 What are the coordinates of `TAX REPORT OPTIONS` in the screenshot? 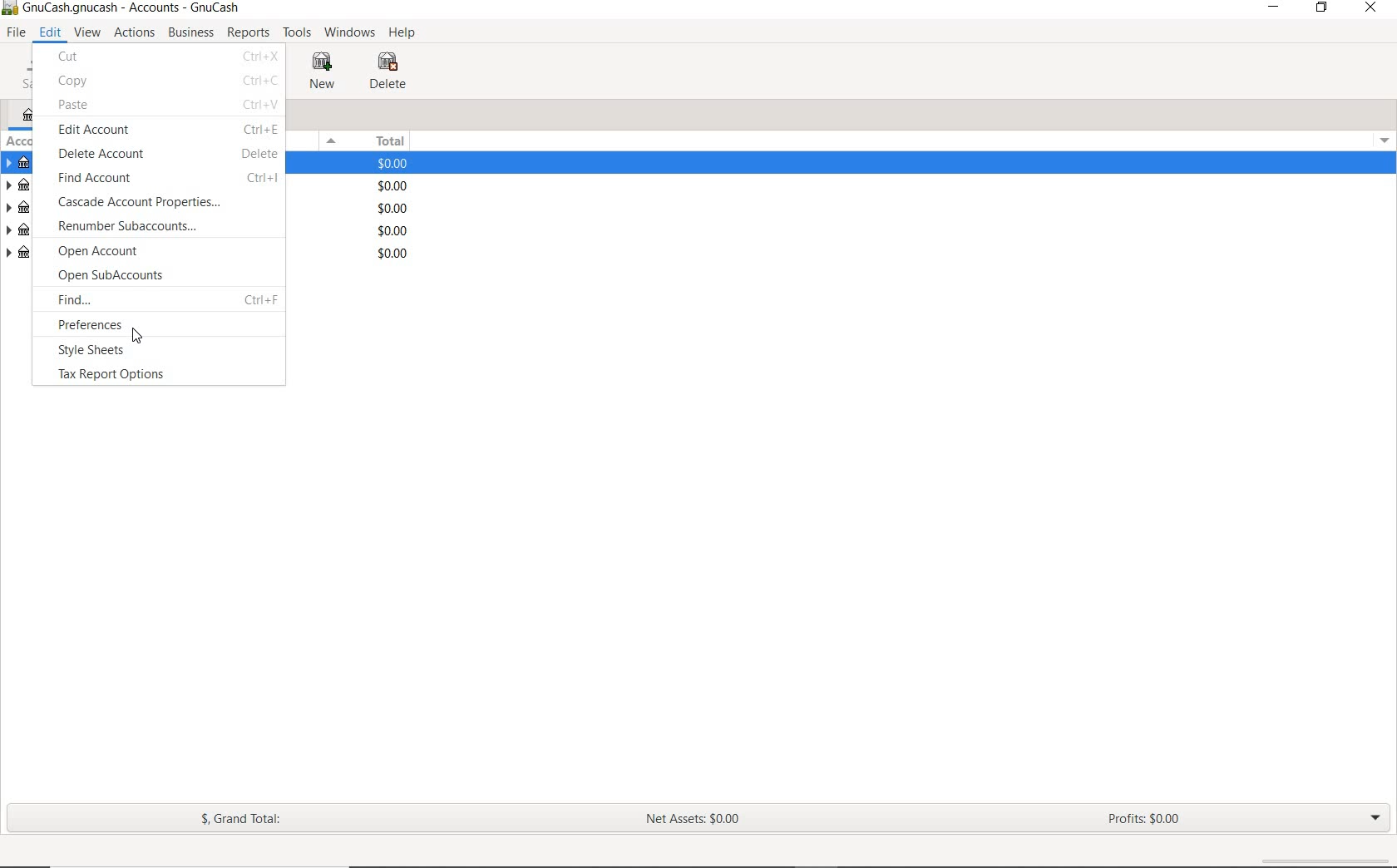 It's located at (125, 377).